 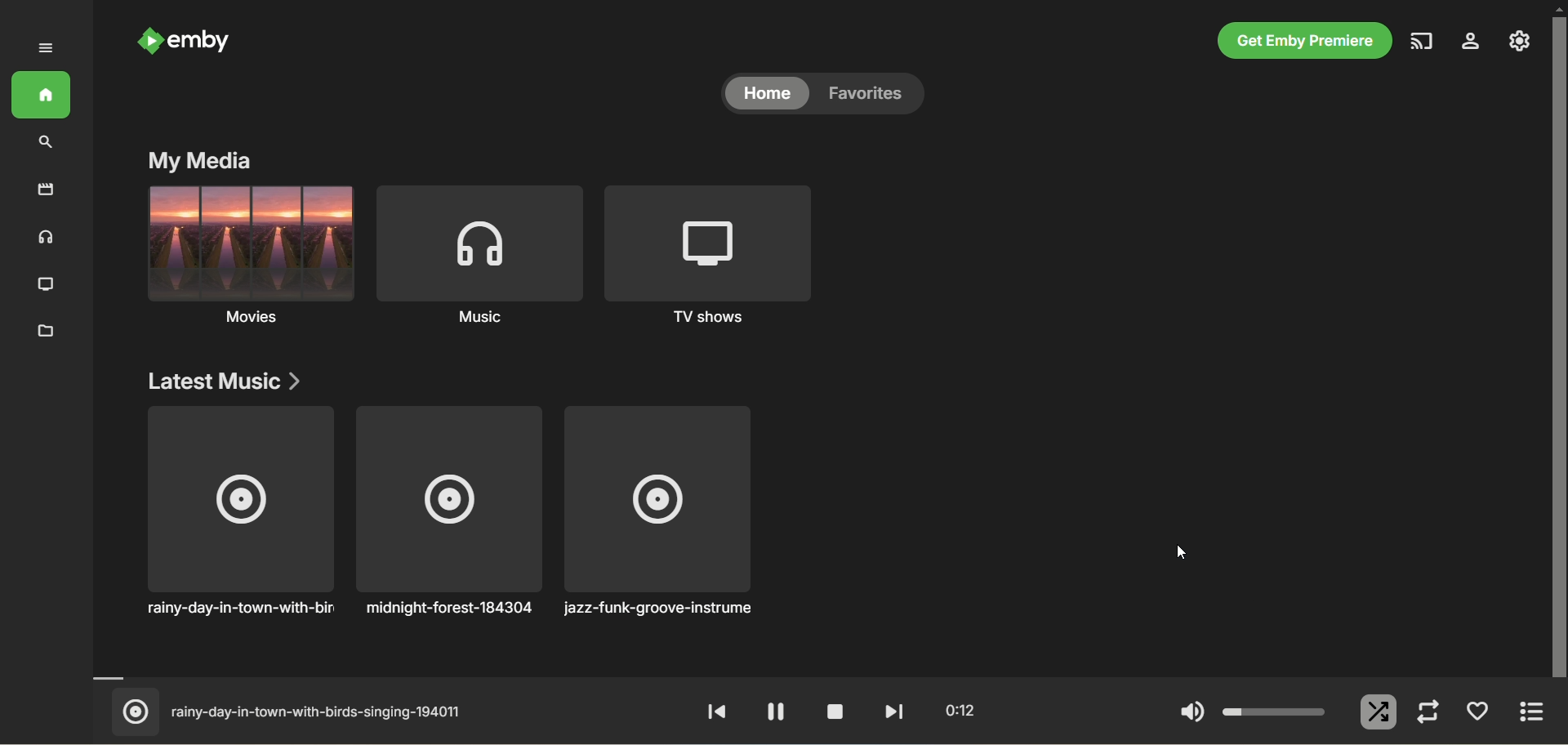 I want to click on repeat mode, so click(x=1427, y=711).